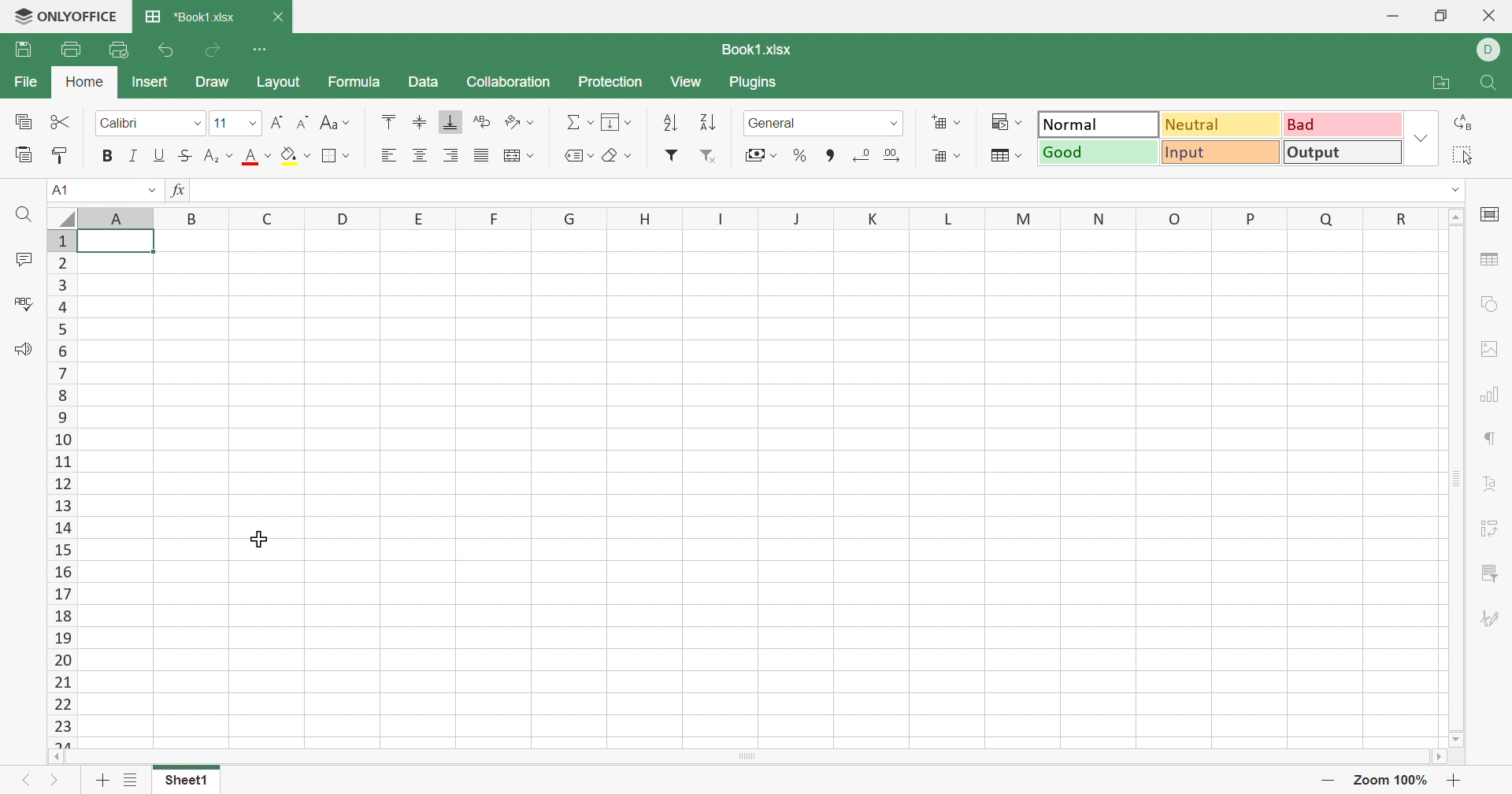  I want to click on Print, so click(69, 46).